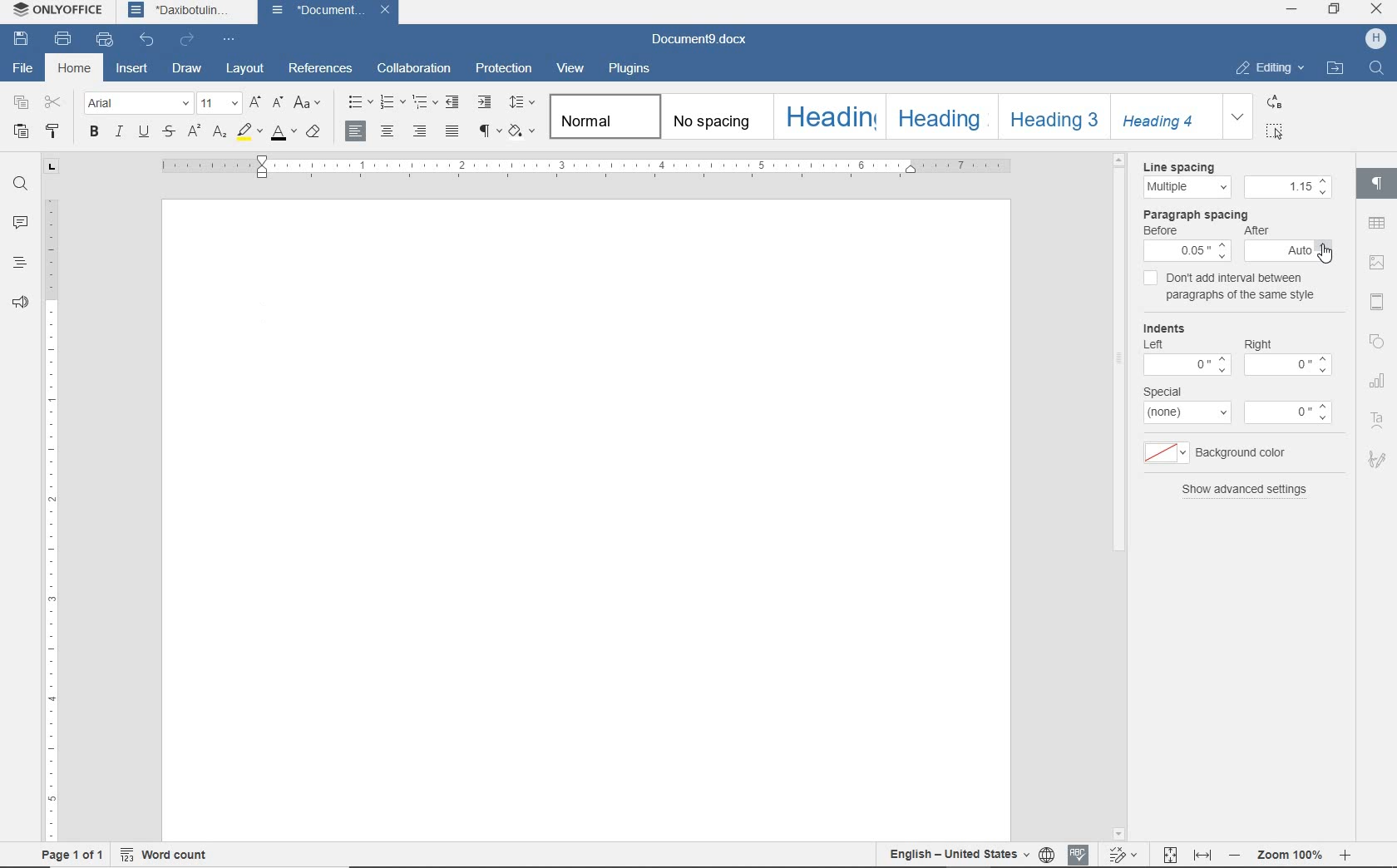  I want to click on paragraph settings, so click(1379, 188).